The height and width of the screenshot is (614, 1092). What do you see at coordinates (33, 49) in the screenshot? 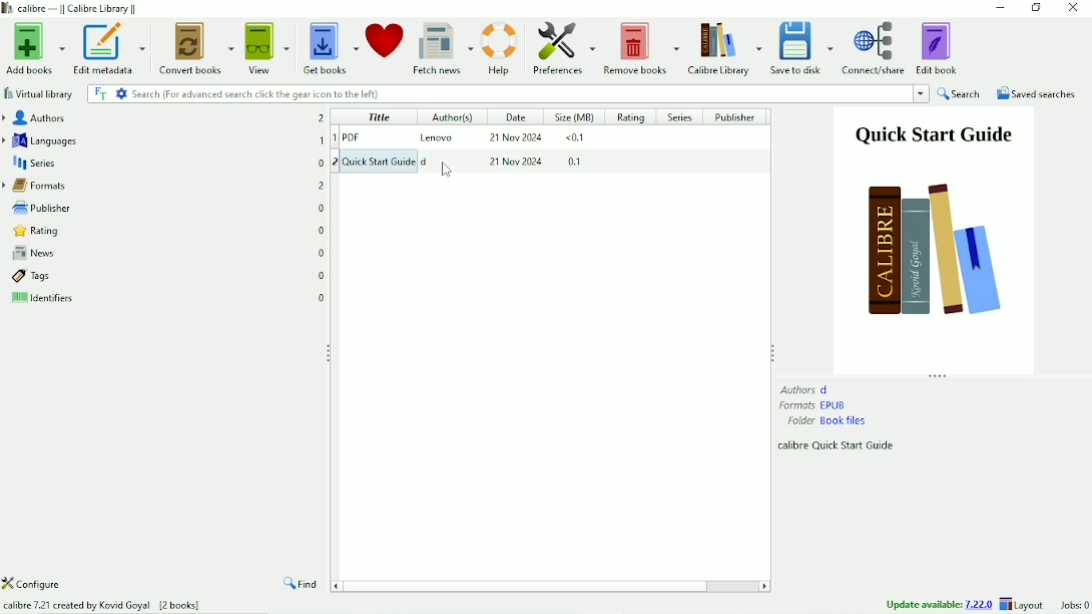
I see `Add books` at bounding box center [33, 49].